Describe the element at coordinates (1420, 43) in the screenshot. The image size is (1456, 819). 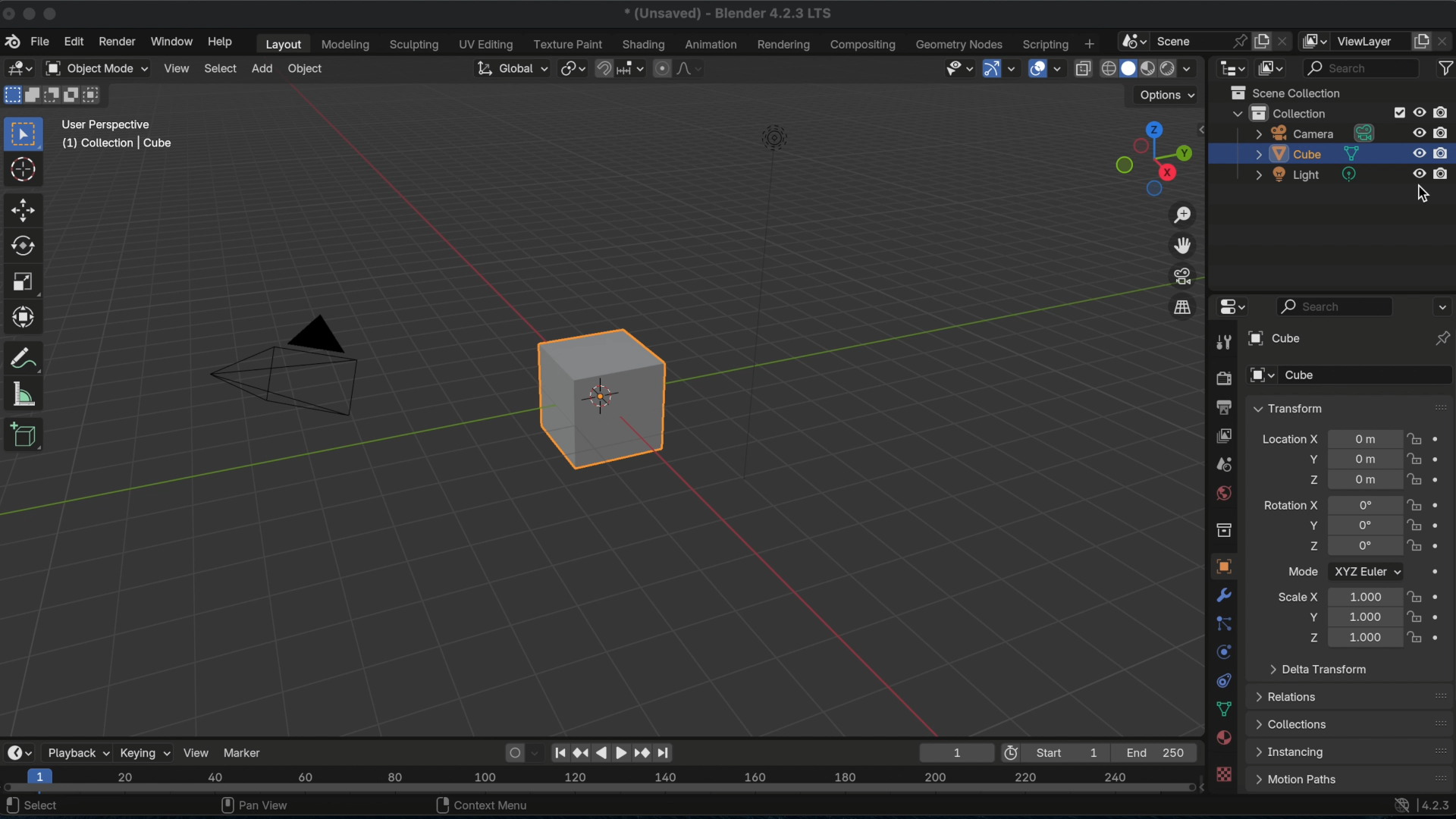
I see `add view layer` at that location.